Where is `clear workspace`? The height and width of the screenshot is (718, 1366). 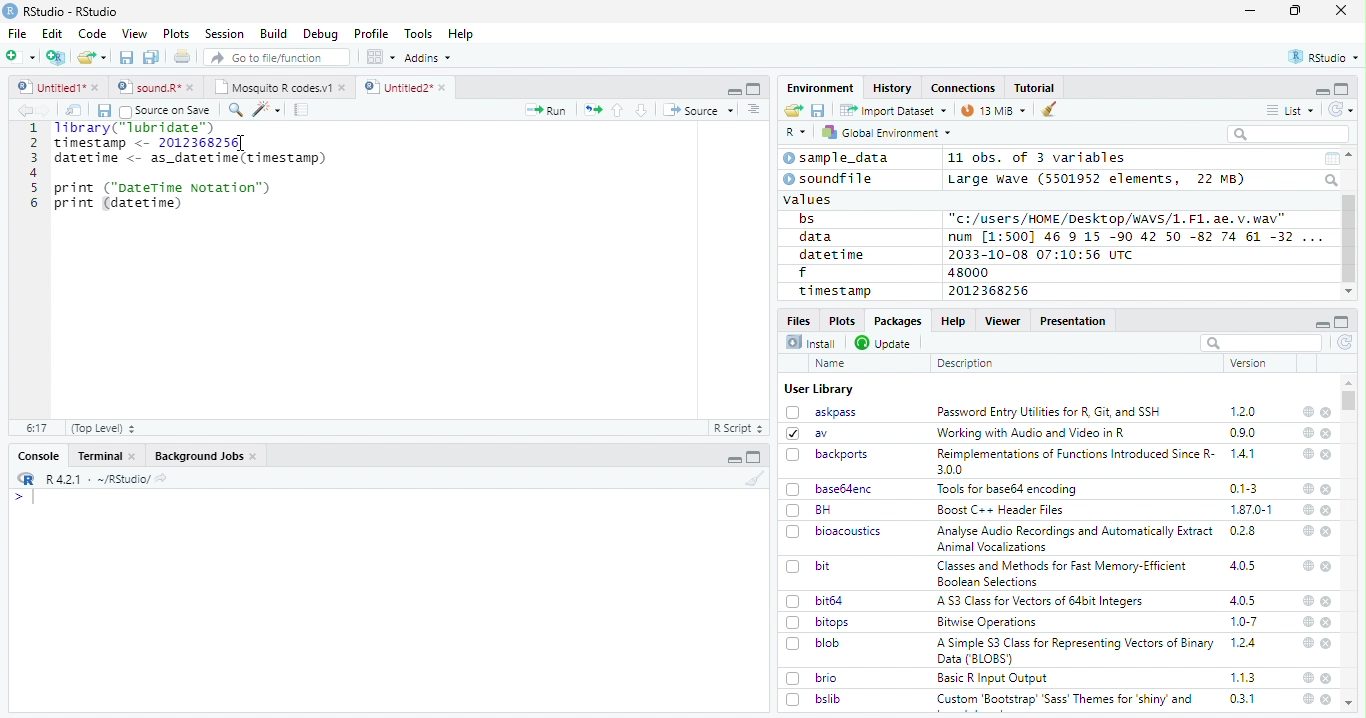
clear workspace is located at coordinates (751, 478).